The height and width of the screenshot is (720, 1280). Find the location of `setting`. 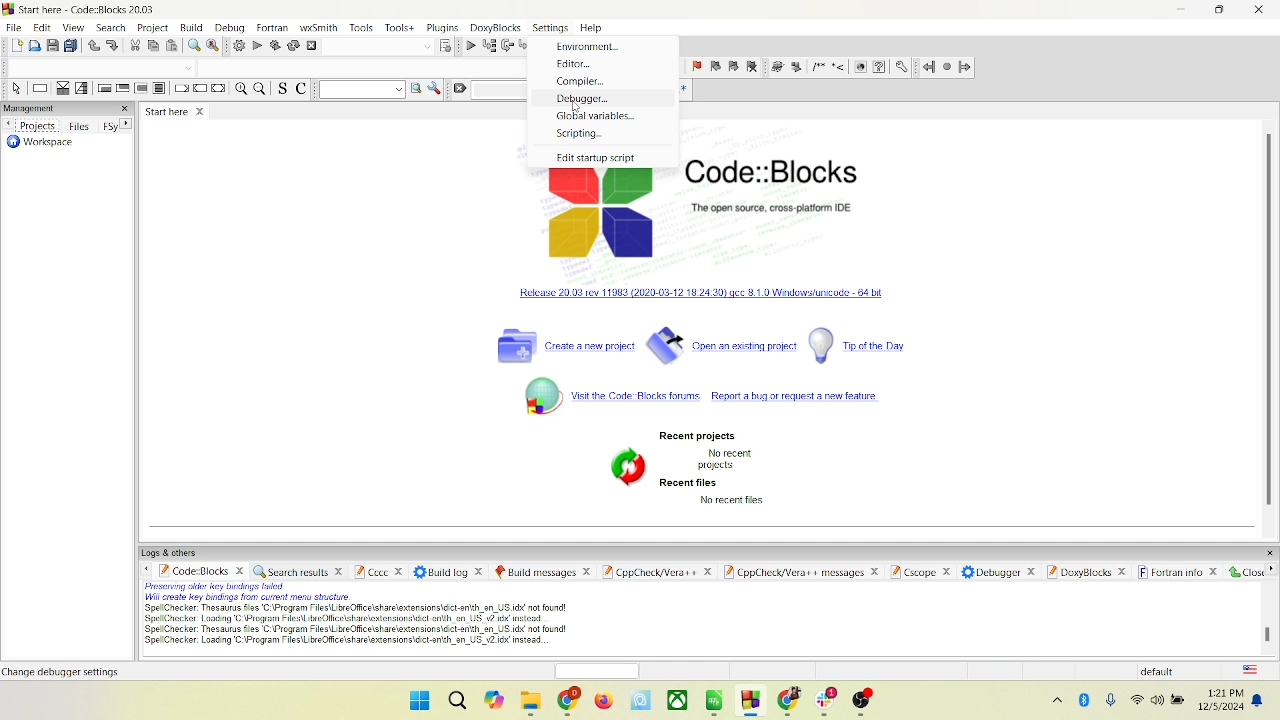

setting is located at coordinates (550, 28).